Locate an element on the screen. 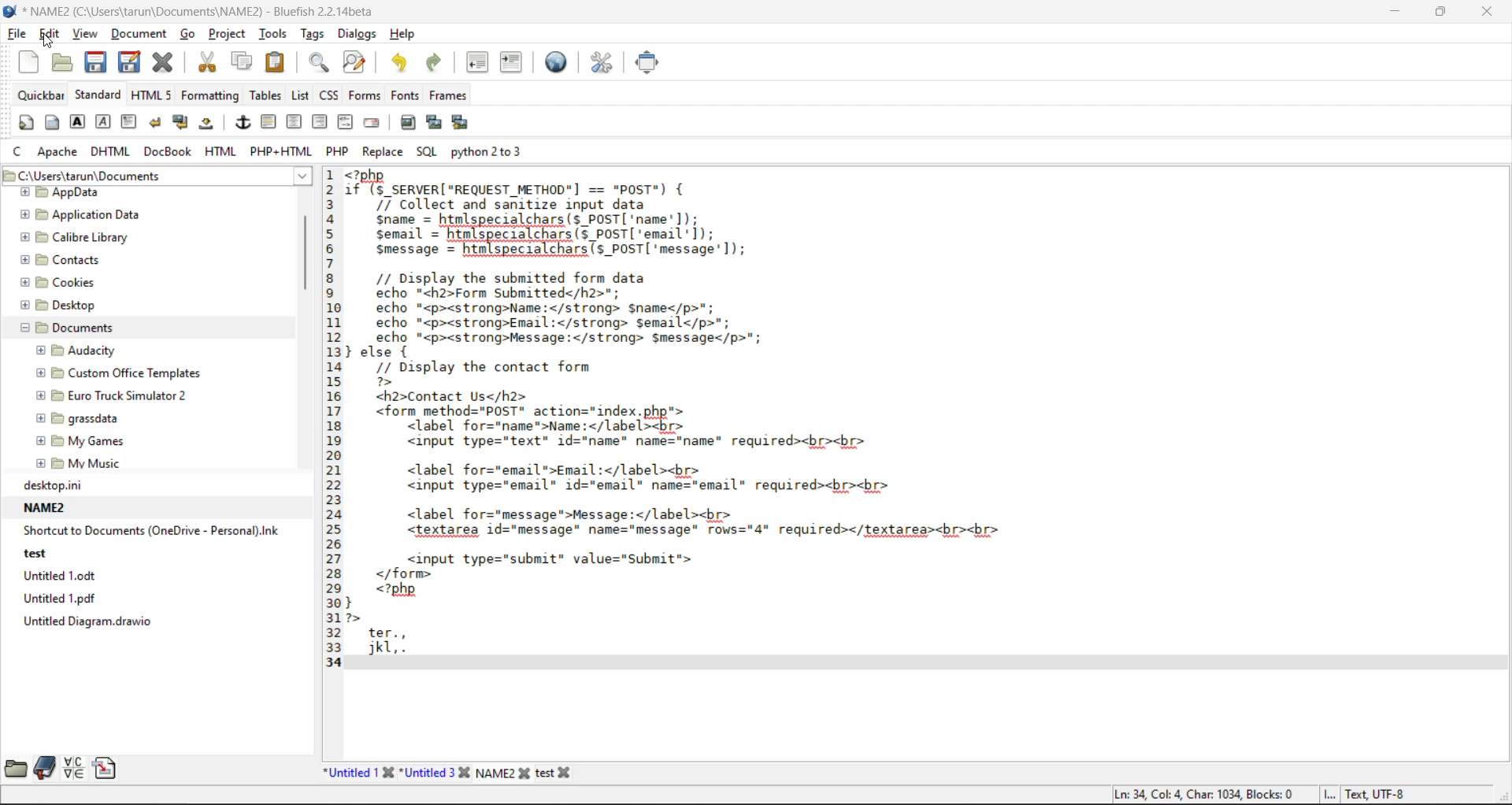 Image resolution: width=1512 pixels, height=805 pixels. fonts is located at coordinates (406, 95).